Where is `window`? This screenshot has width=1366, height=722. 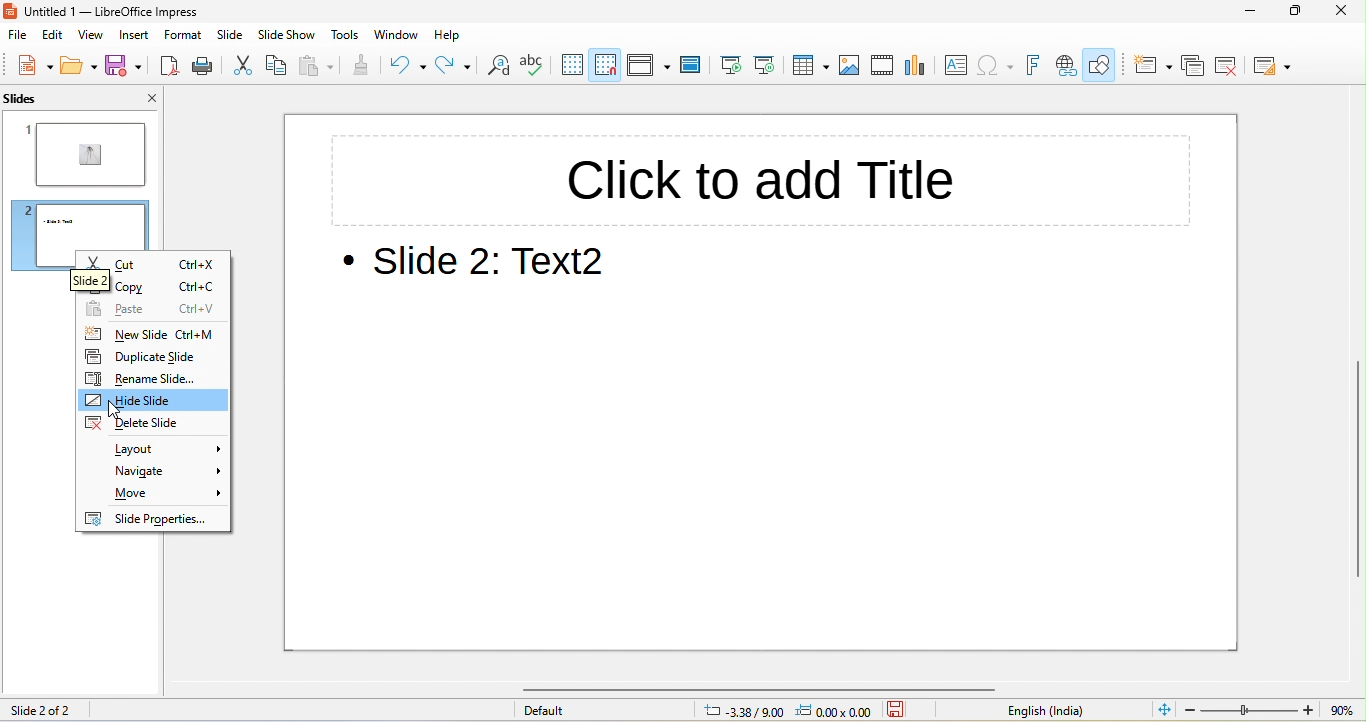 window is located at coordinates (393, 36).